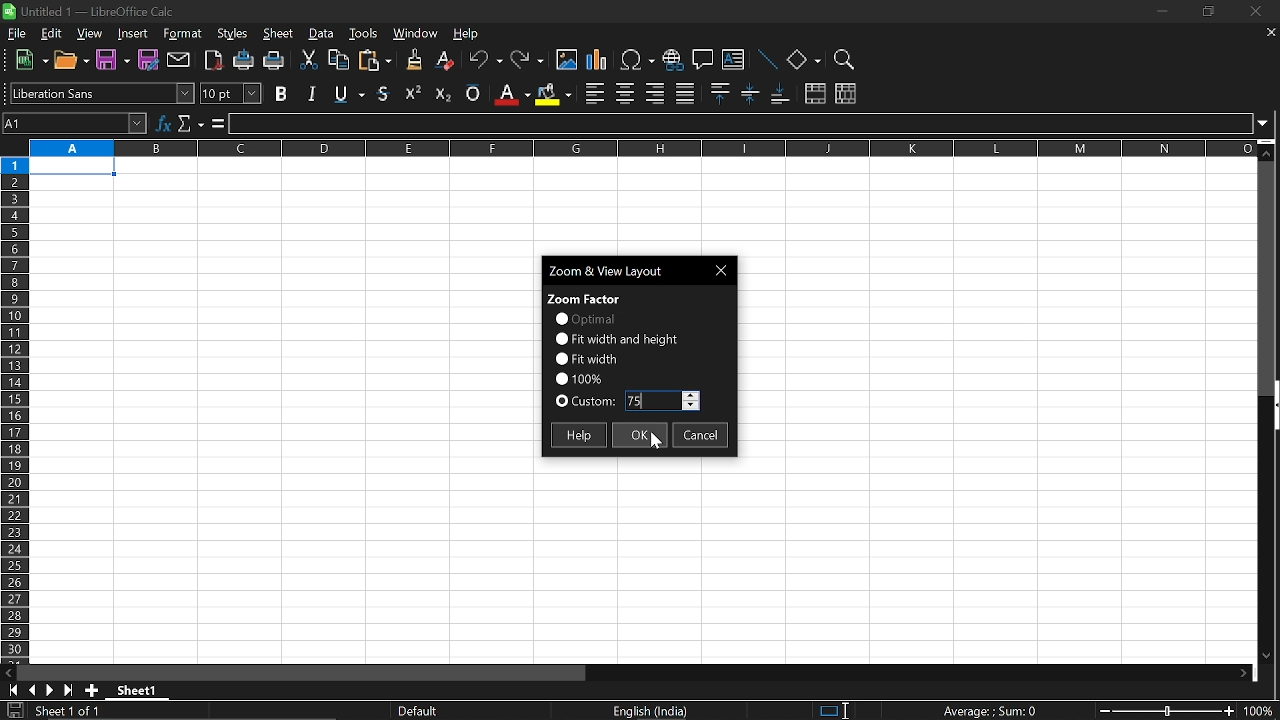  What do you see at coordinates (182, 35) in the screenshot?
I see `format` at bounding box center [182, 35].